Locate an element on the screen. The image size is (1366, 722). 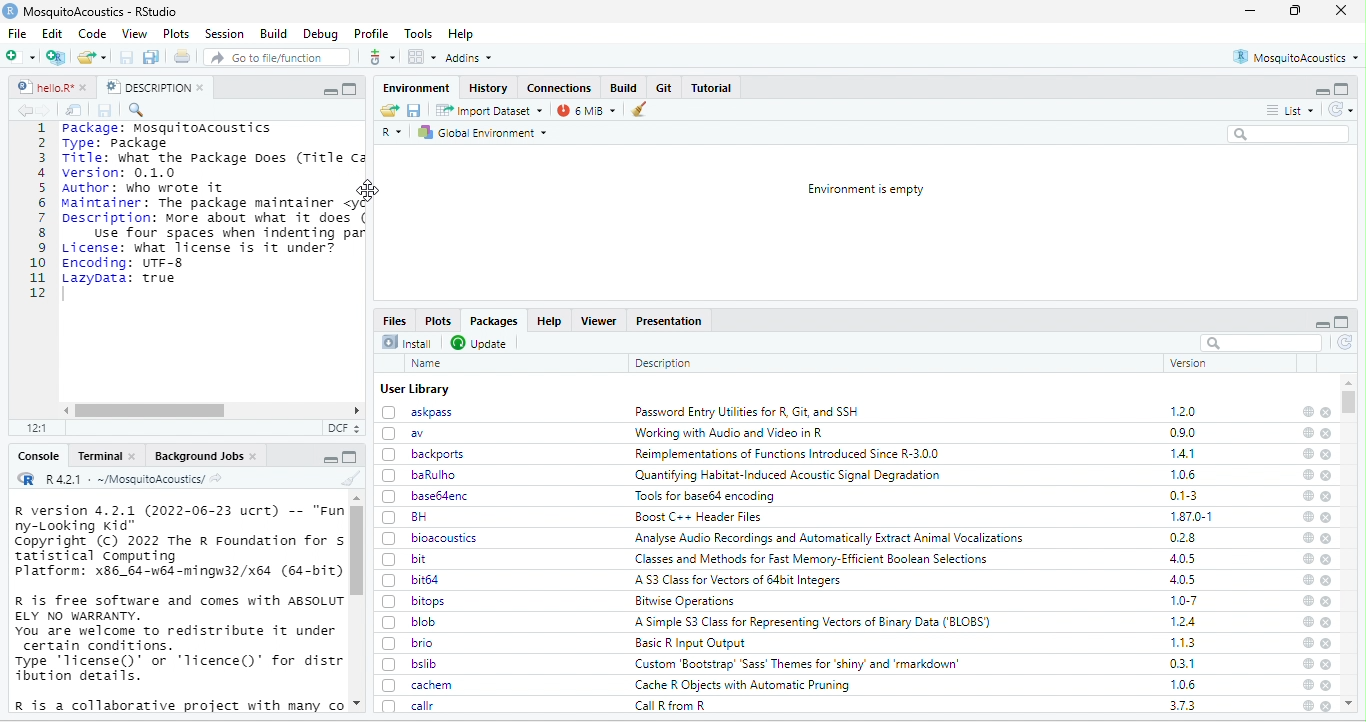
close is located at coordinates (1326, 664).